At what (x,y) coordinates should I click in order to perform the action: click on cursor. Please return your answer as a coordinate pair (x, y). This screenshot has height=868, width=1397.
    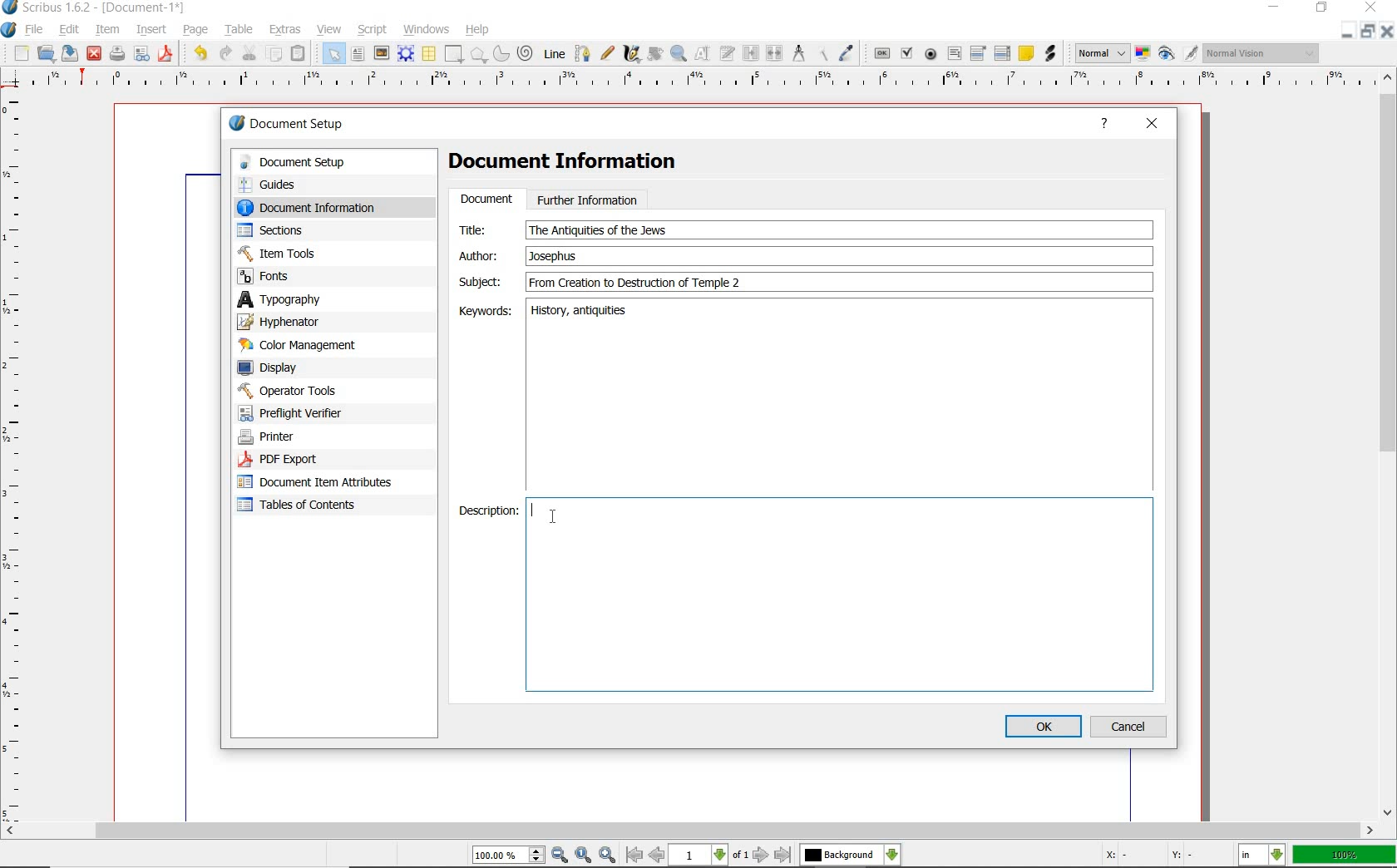
    Looking at the image, I should click on (553, 515).